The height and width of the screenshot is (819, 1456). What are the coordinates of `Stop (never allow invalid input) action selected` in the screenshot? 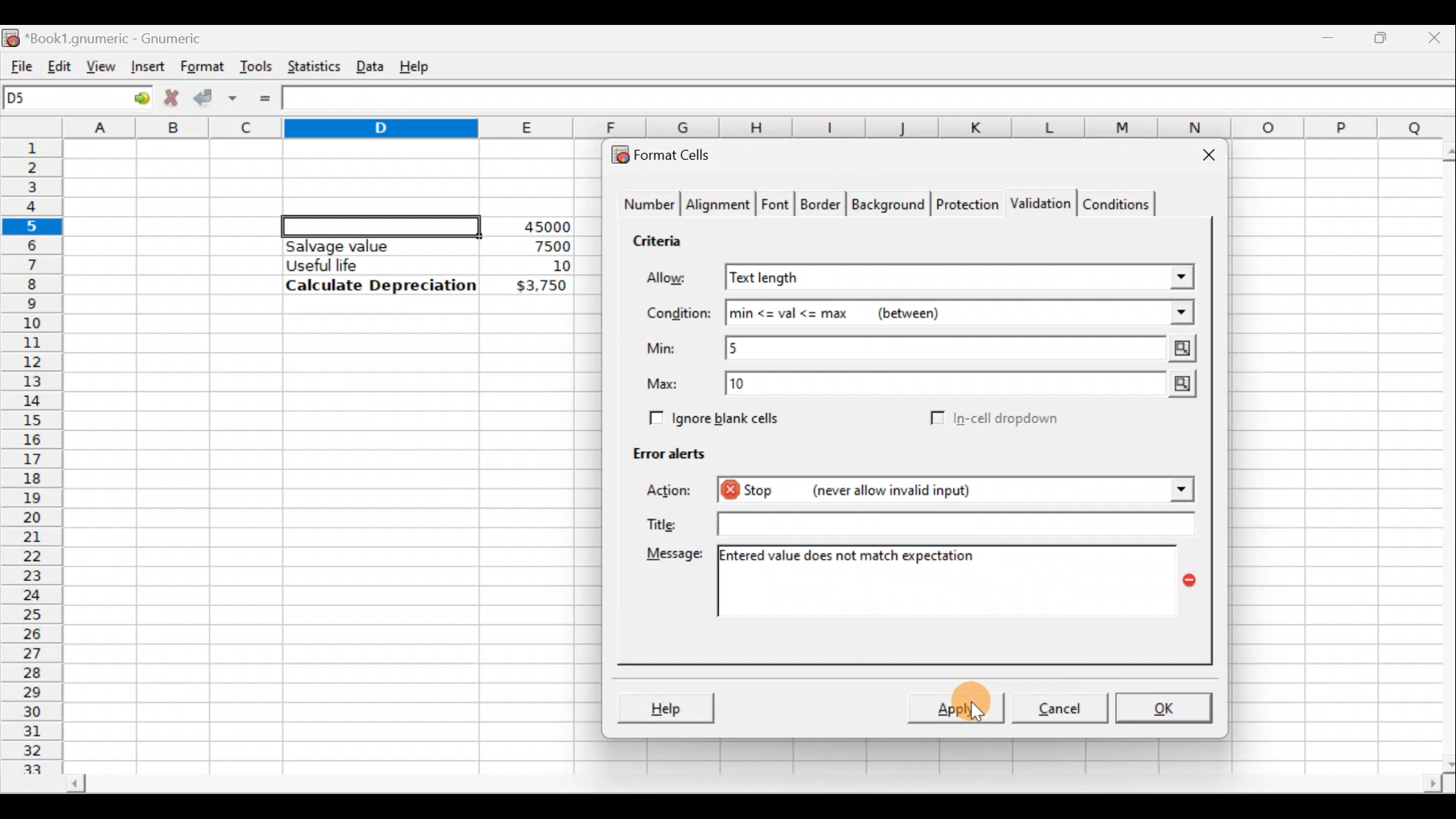 It's located at (924, 492).